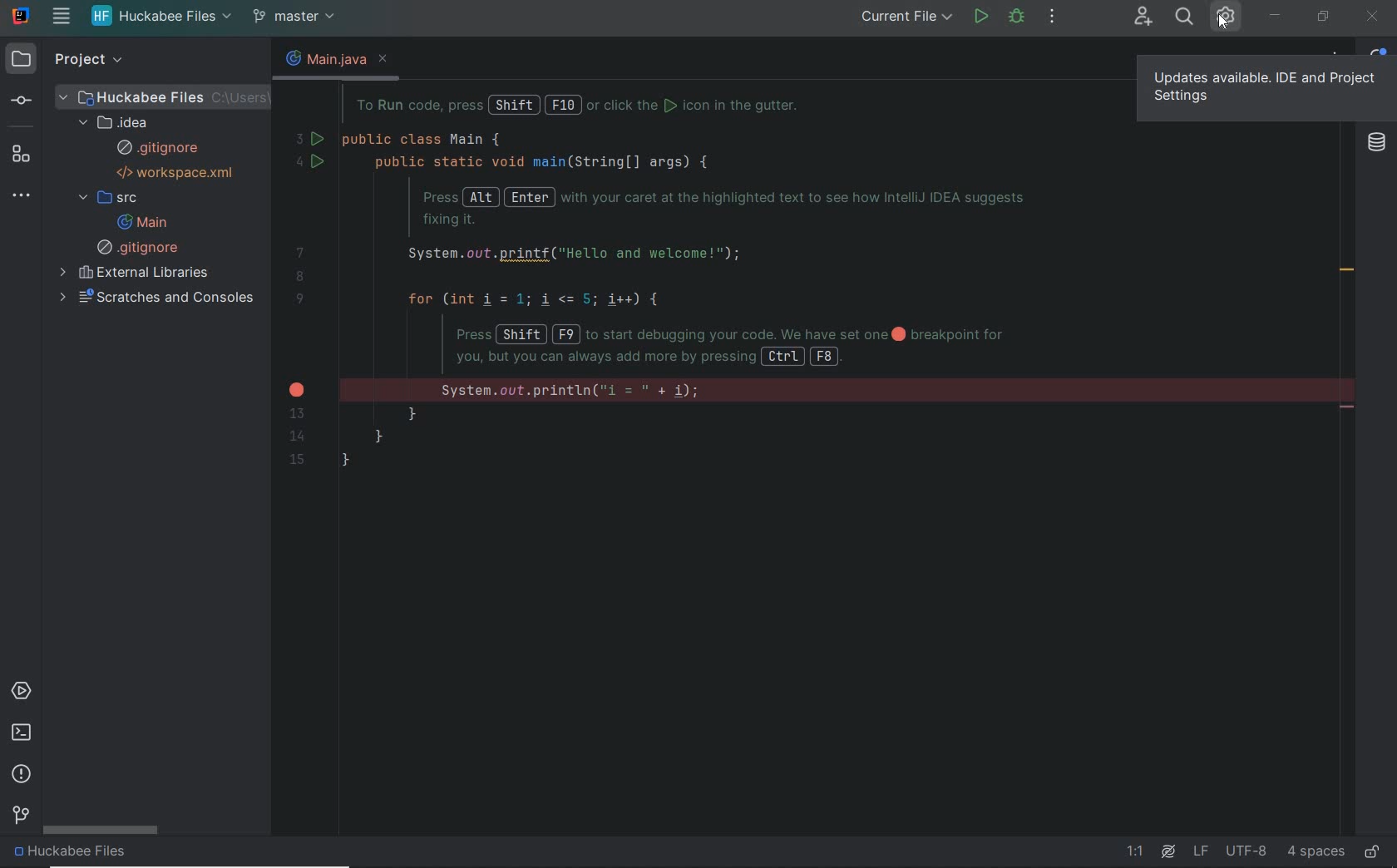  Describe the element at coordinates (704, 289) in the screenshot. I see `codes` at that location.